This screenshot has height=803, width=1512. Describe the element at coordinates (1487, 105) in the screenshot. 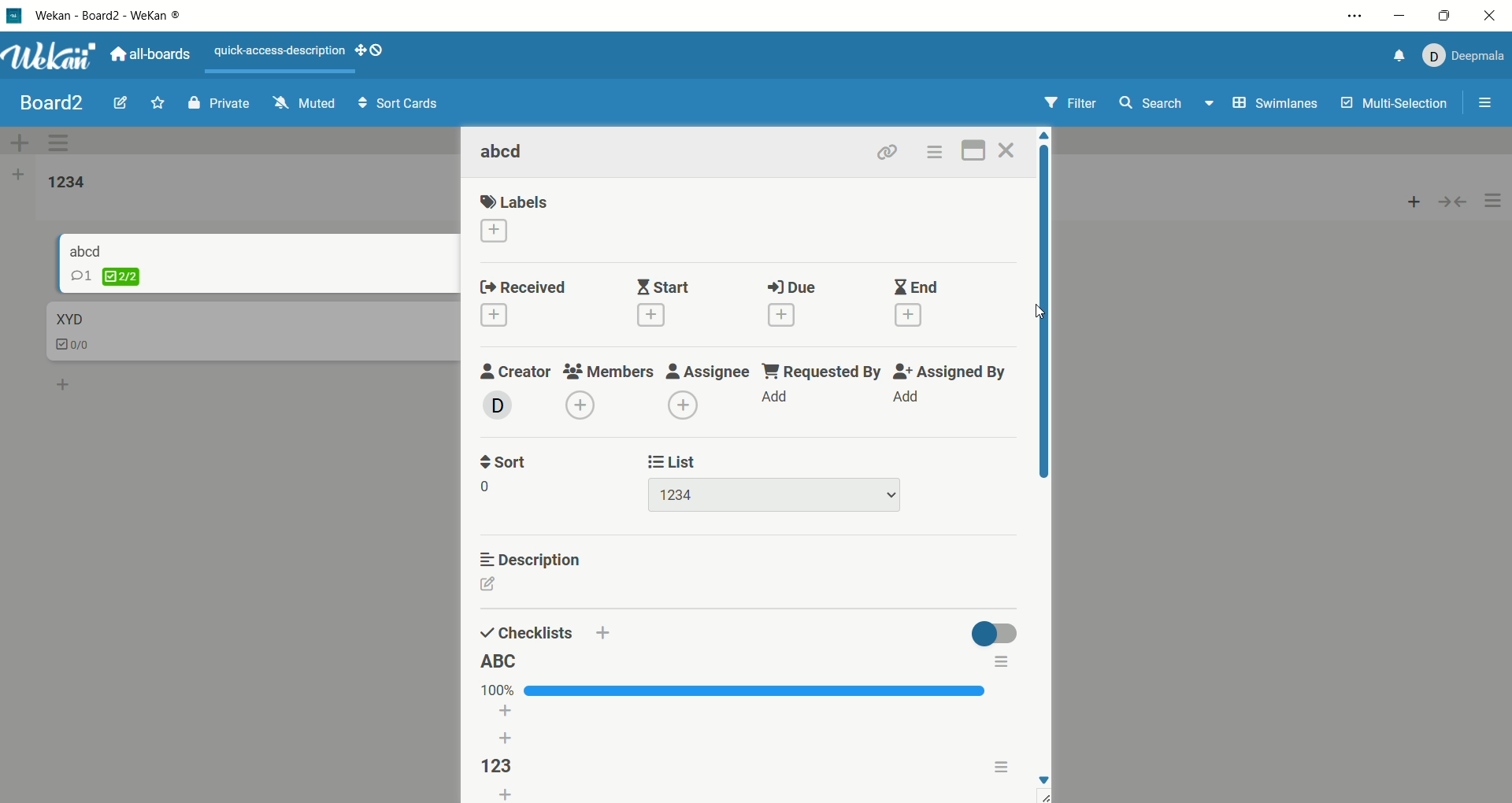

I see `options` at that location.